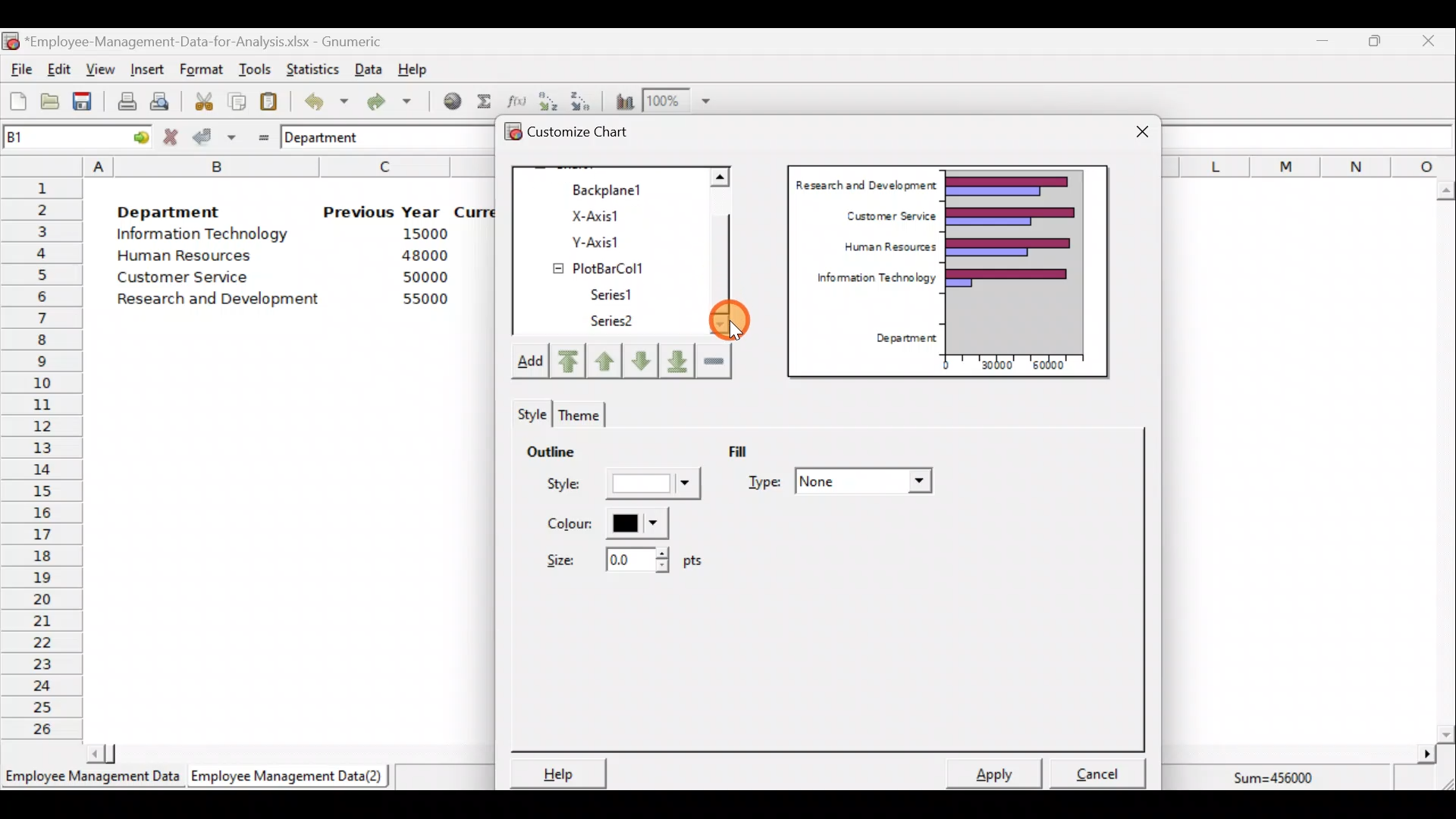 This screenshot has width=1456, height=819. Describe the element at coordinates (419, 233) in the screenshot. I see `15000` at that location.